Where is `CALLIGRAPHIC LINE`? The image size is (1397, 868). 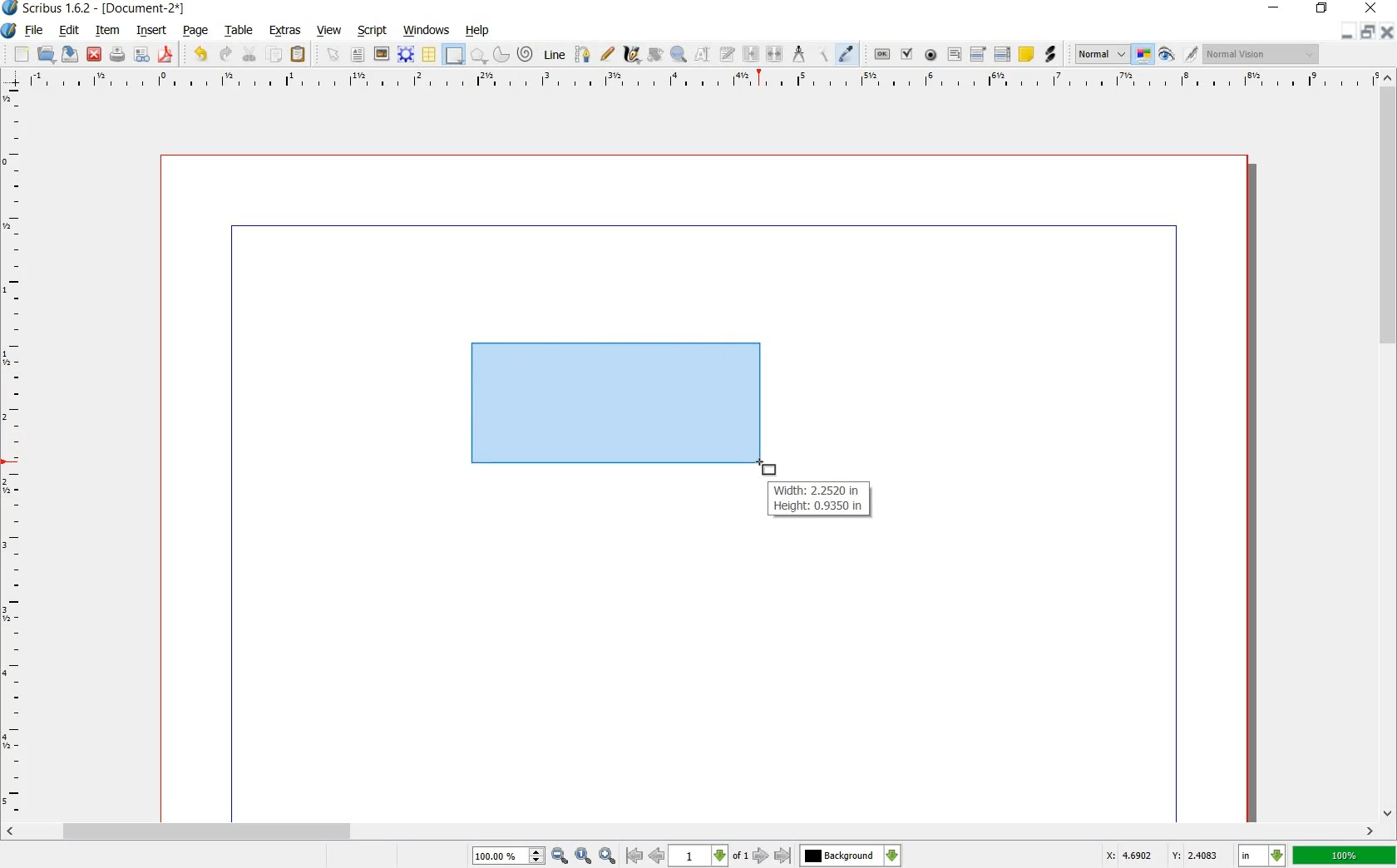
CALLIGRAPHIC LINE is located at coordinates (630, 54).